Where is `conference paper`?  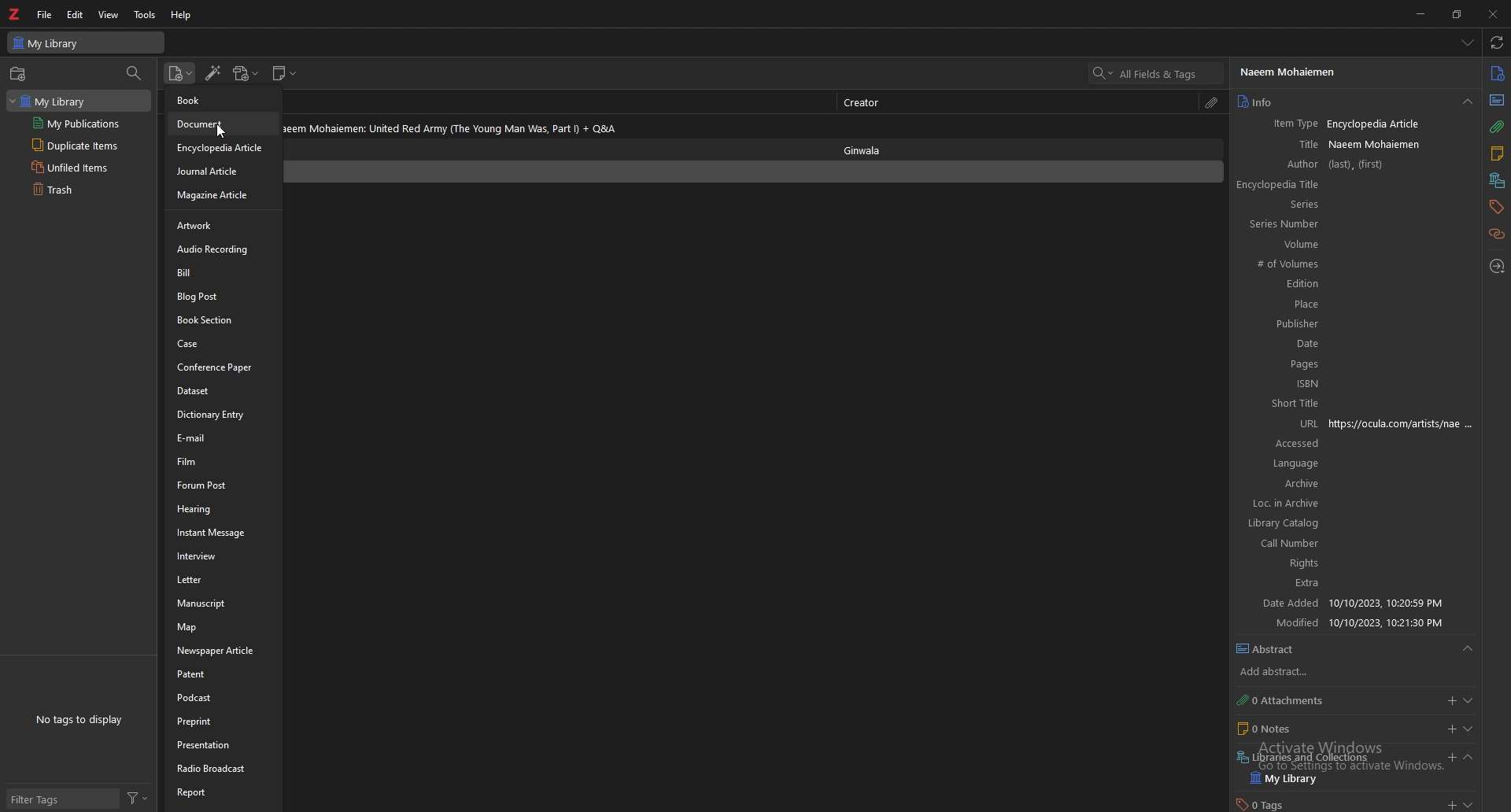 conference paper is located at coordinates (222, 367).